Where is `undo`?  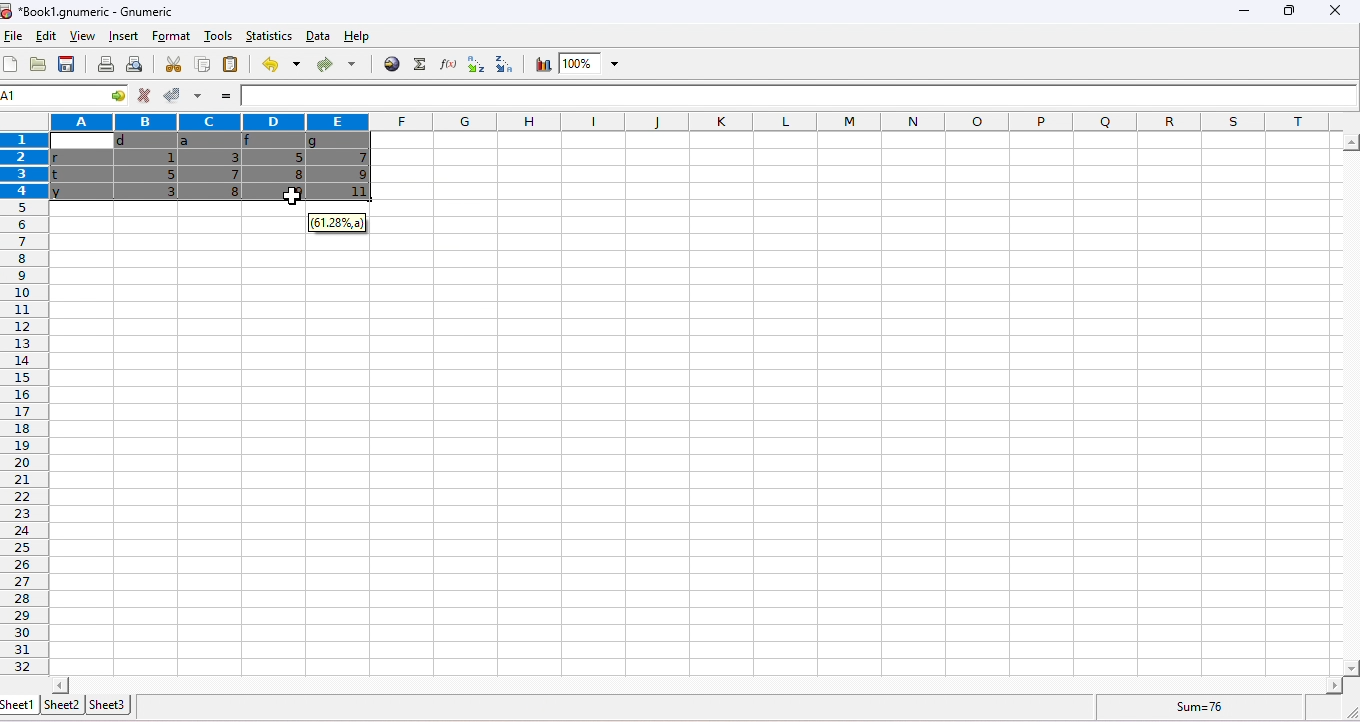
undo is located at coordinates (283, 65).